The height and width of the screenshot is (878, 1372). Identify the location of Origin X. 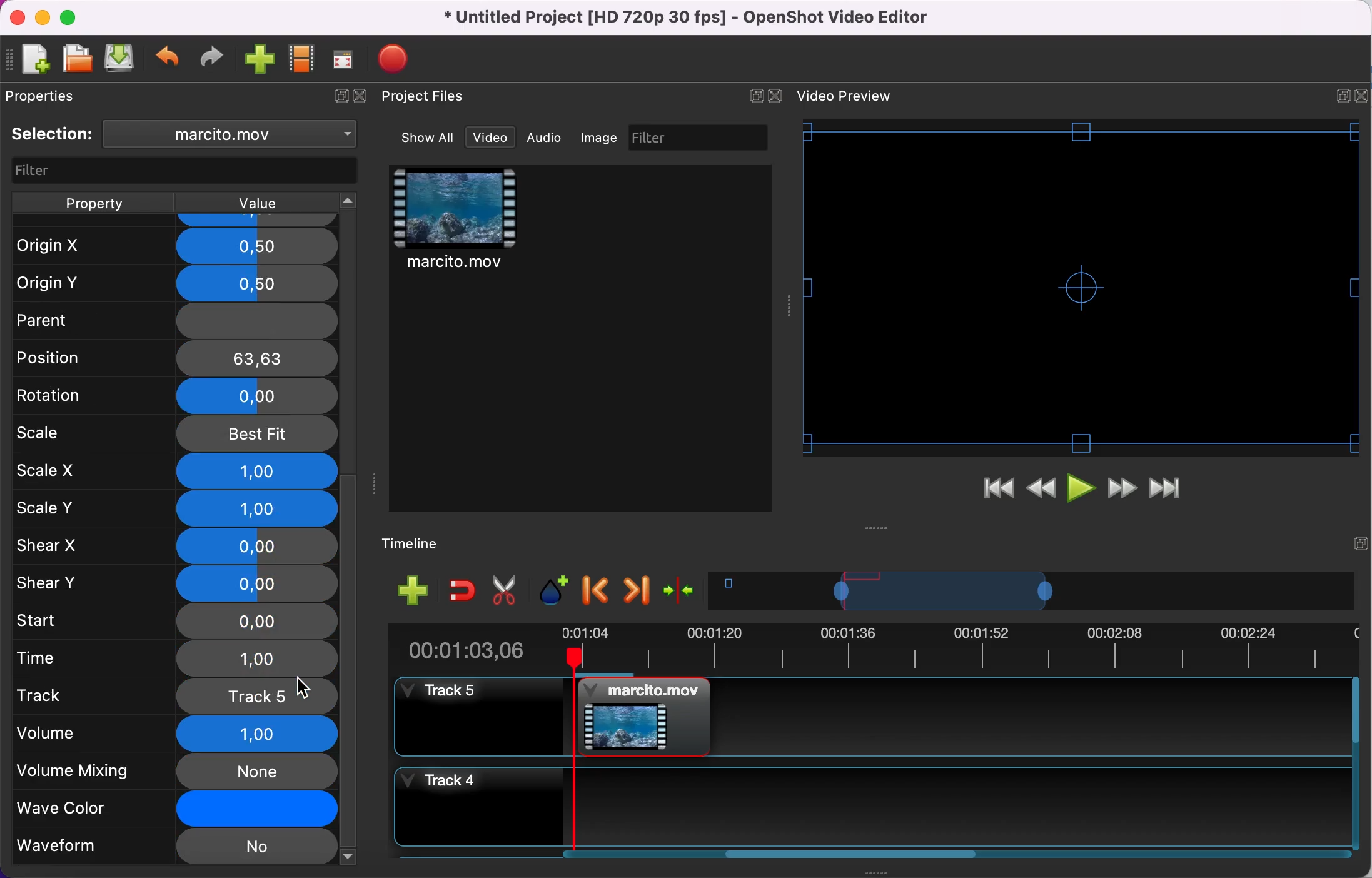
(174, 246).